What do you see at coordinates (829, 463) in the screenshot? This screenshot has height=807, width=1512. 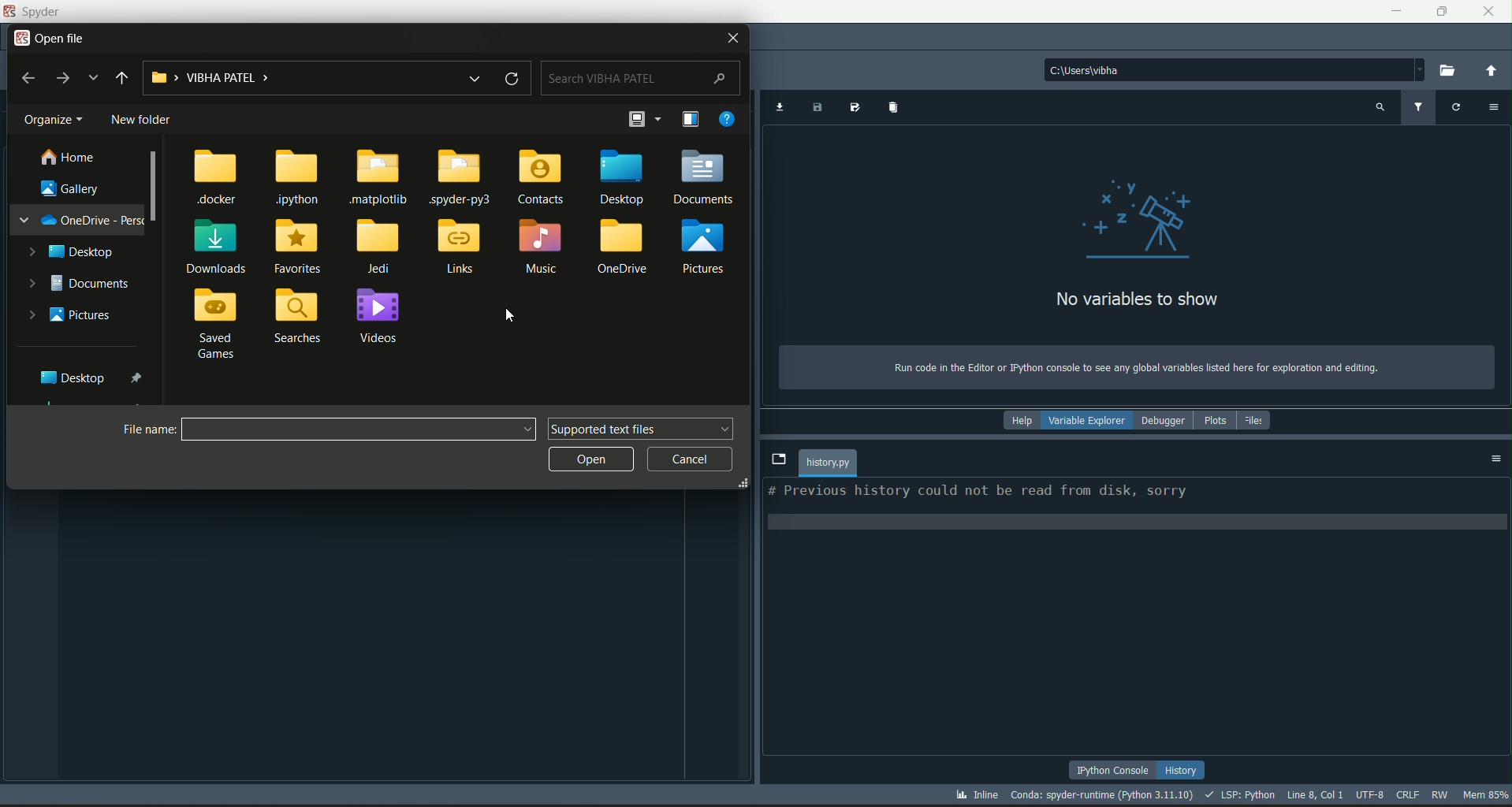 I see `file name` at bounding box center [829, 463].